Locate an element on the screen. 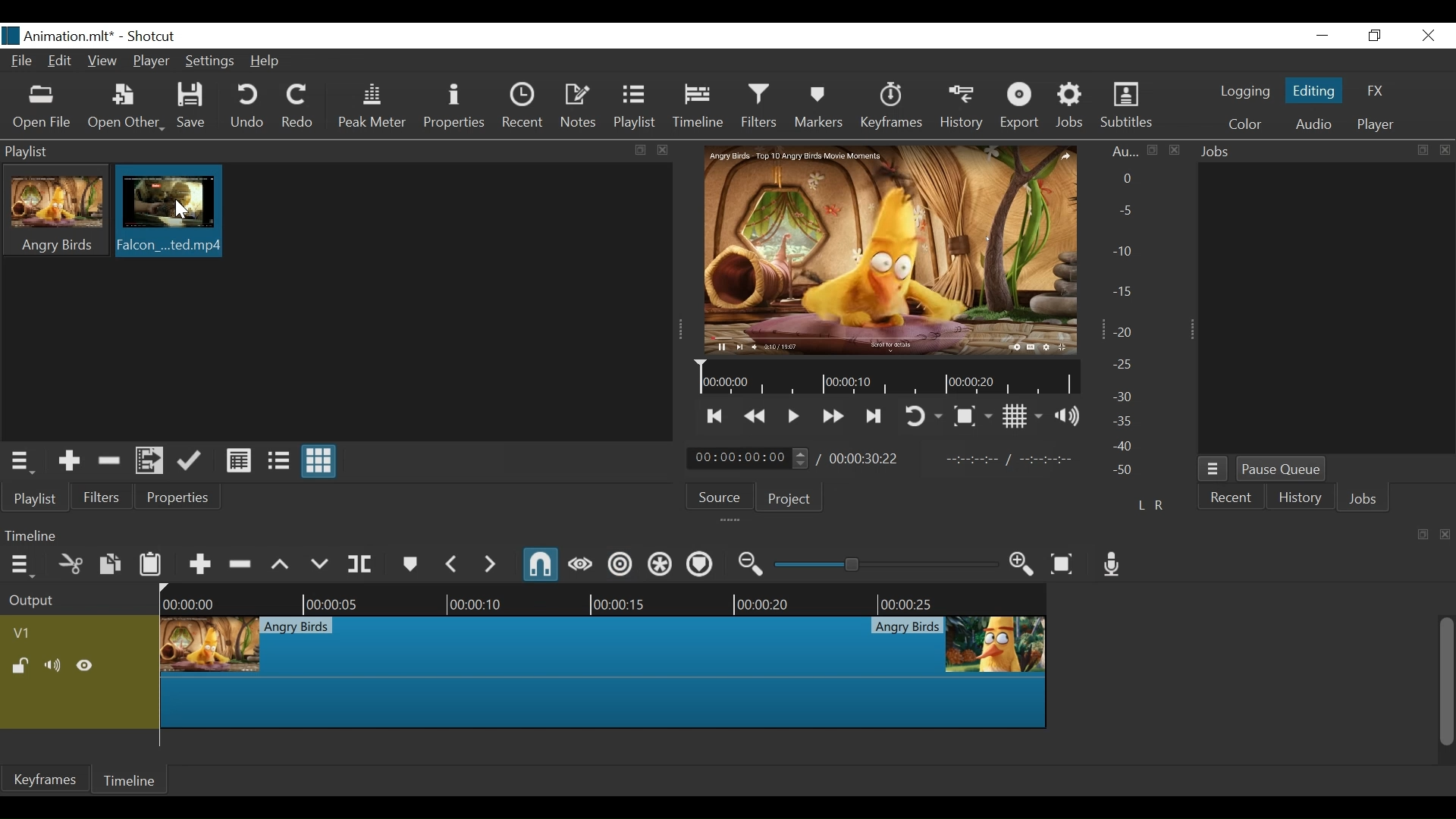 This screenshot has width=1456, height=819. Media Viewer is located at coordinates (890, 249).